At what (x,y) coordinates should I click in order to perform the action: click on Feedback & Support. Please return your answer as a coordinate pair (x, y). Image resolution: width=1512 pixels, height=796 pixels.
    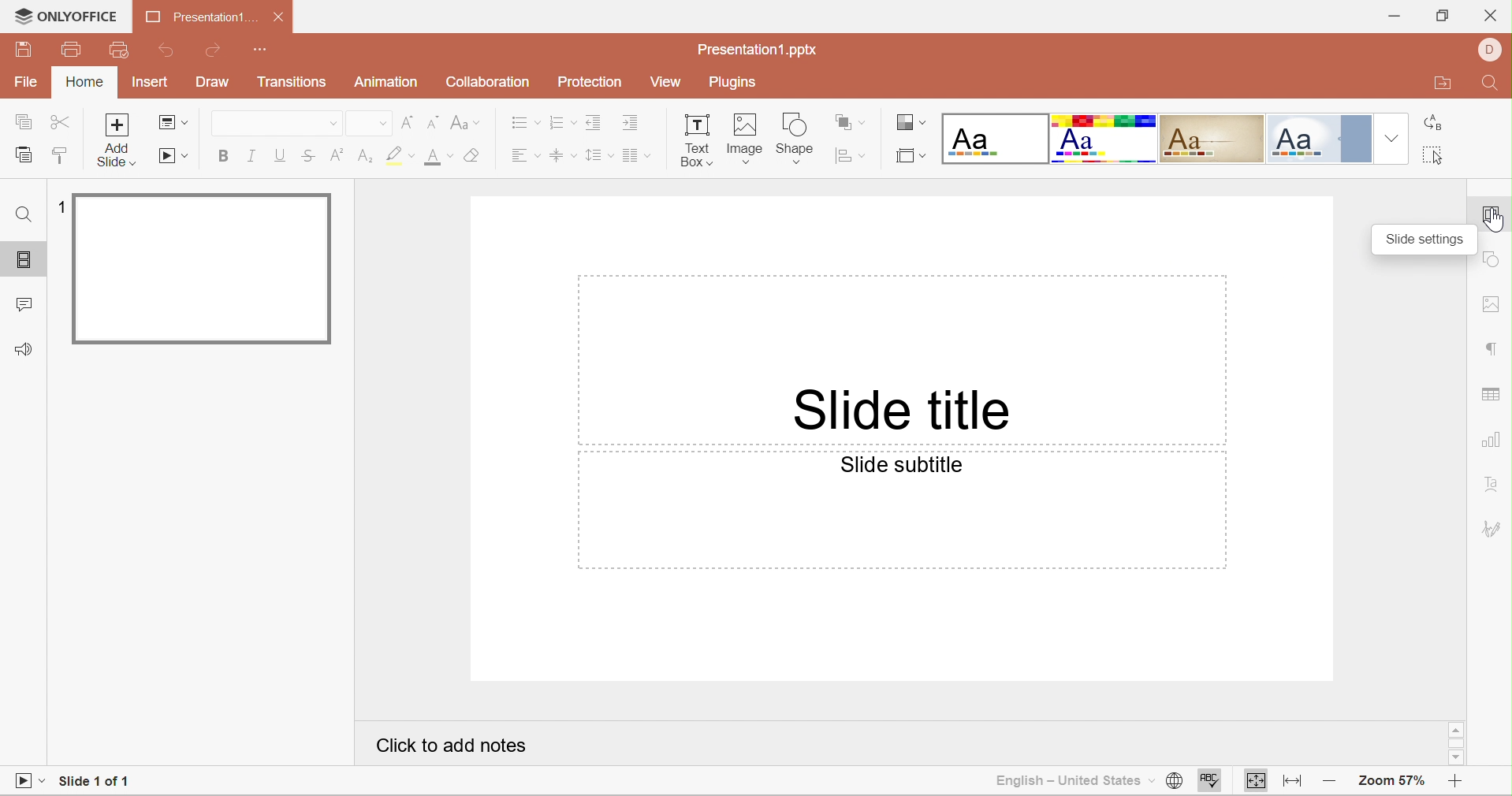
    Looking at the image, I should click on (25, 350).